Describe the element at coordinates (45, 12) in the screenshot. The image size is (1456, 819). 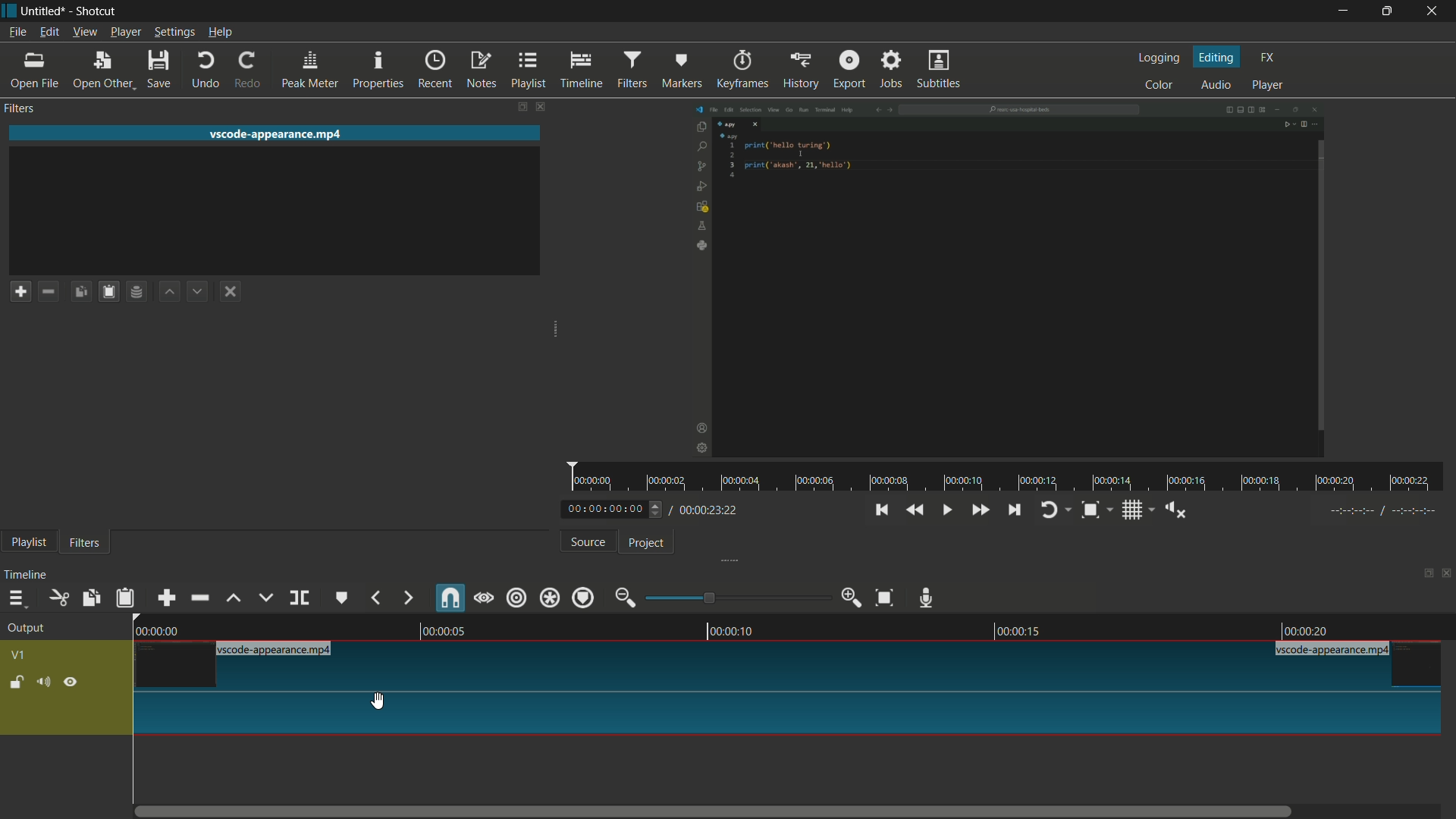
I see `project name` at that location.